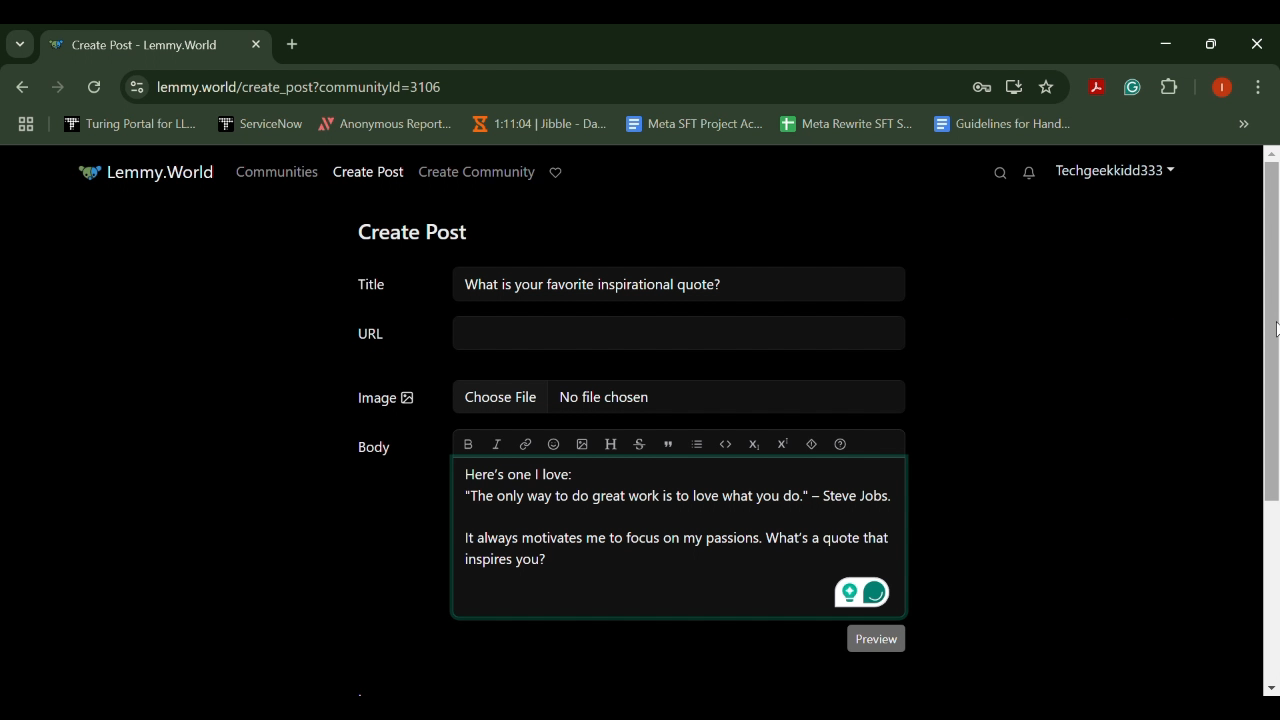 This screenshot has width=1280, height=720. I want to click on italic, so click(497, 444).